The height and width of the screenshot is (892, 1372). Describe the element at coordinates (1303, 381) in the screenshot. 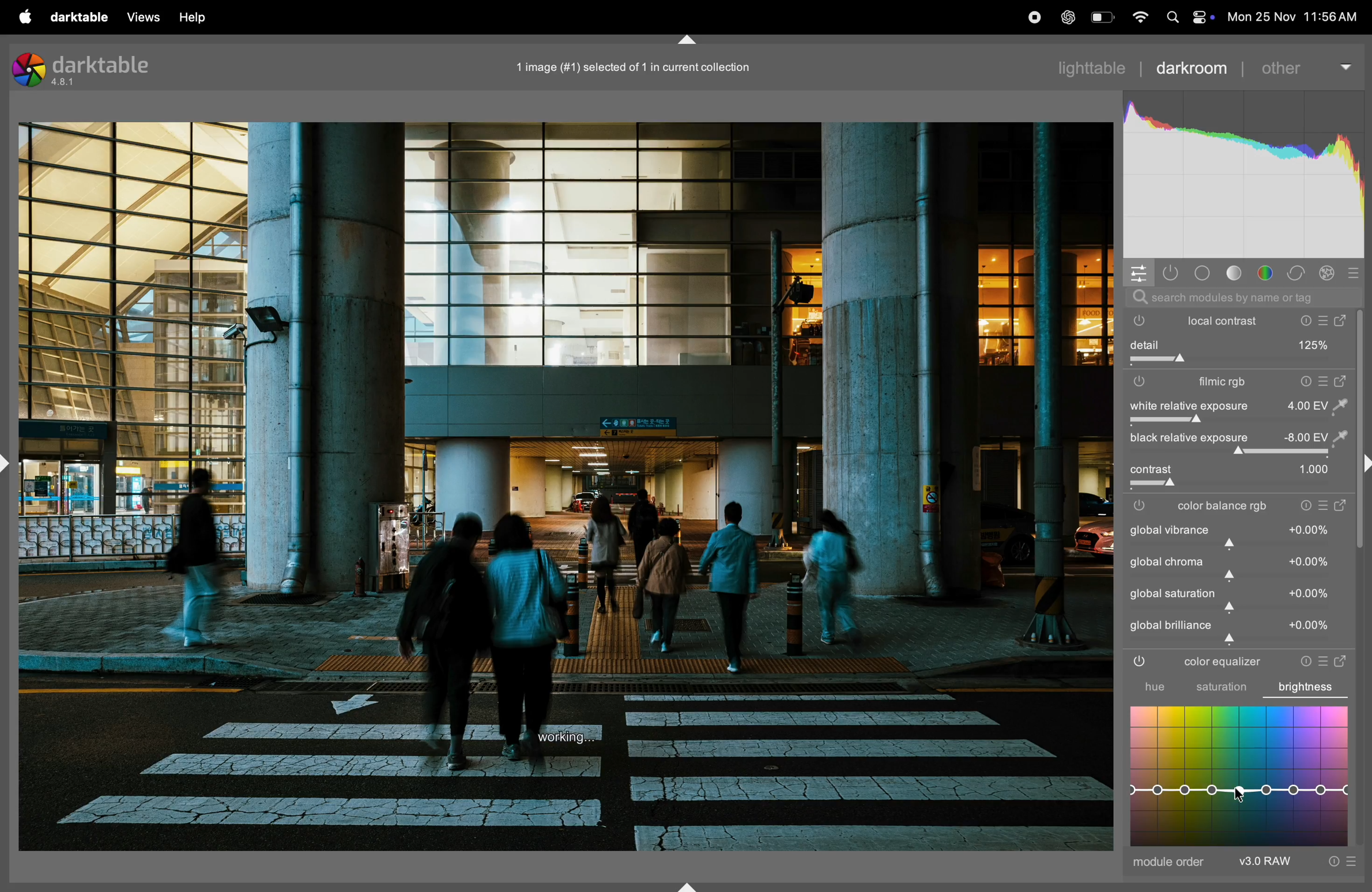

I see `reset parameters` at that location.